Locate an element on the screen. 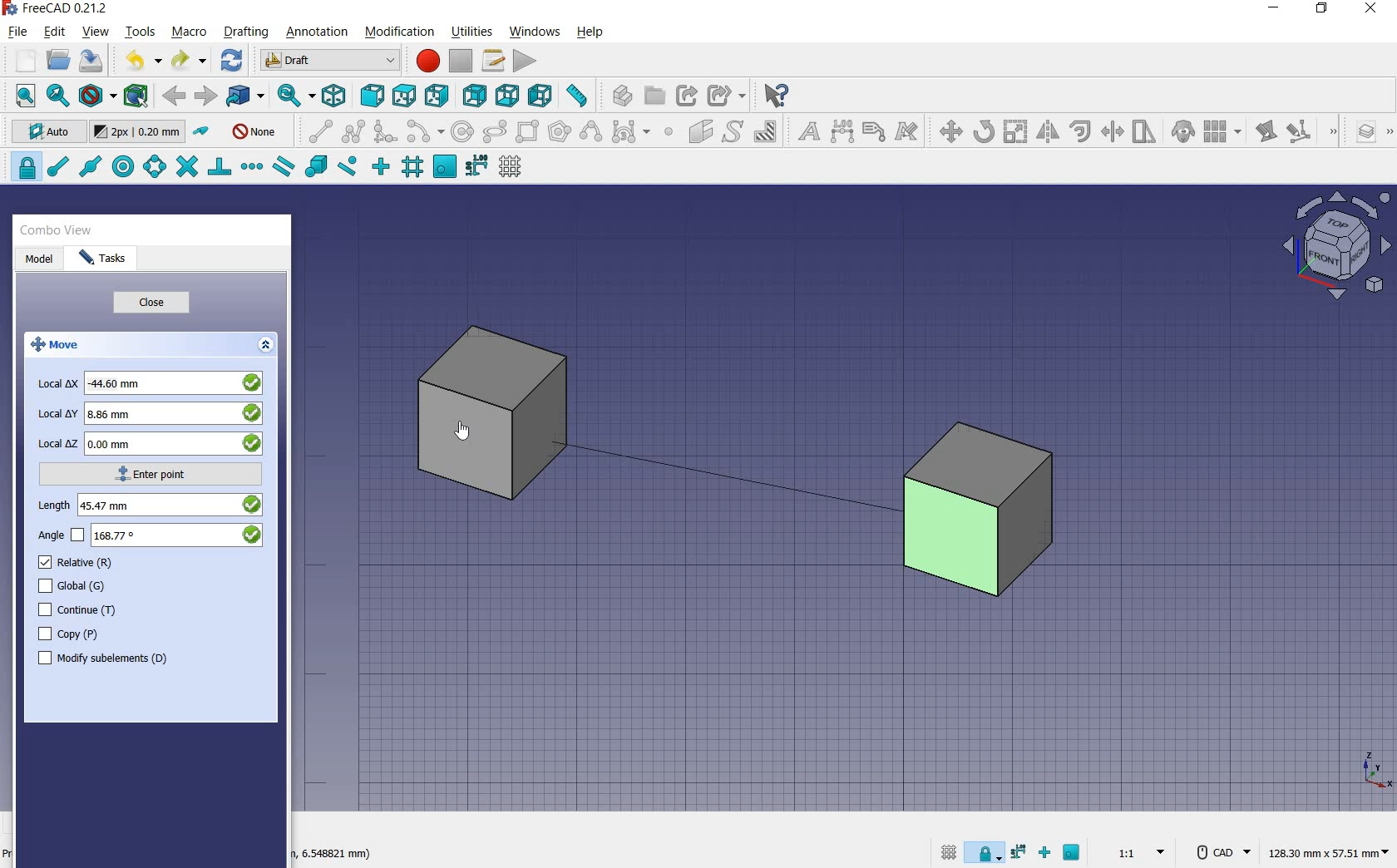  CAD Navigation Style is located at coordinates (1220, 851).